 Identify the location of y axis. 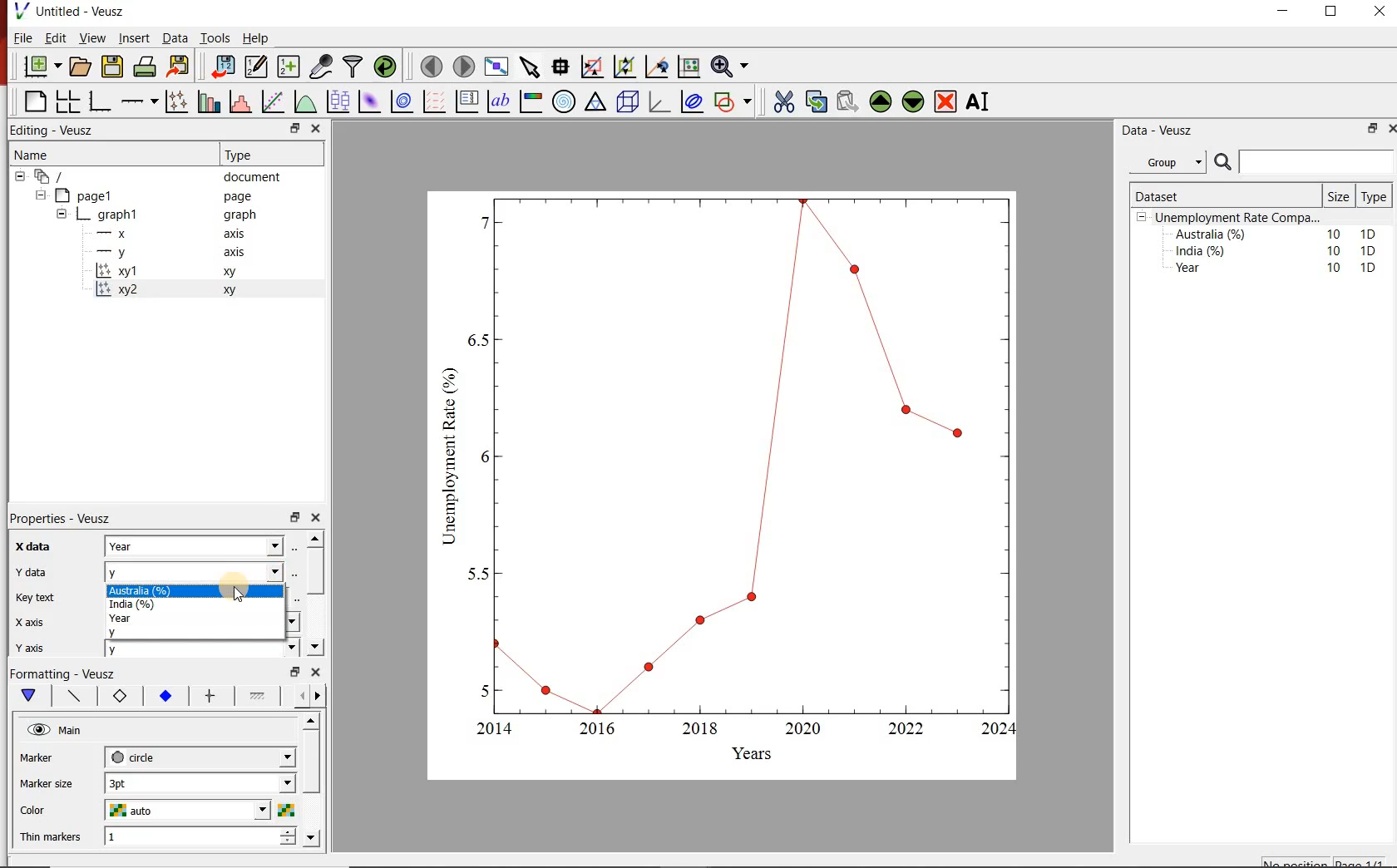
(41, 645).